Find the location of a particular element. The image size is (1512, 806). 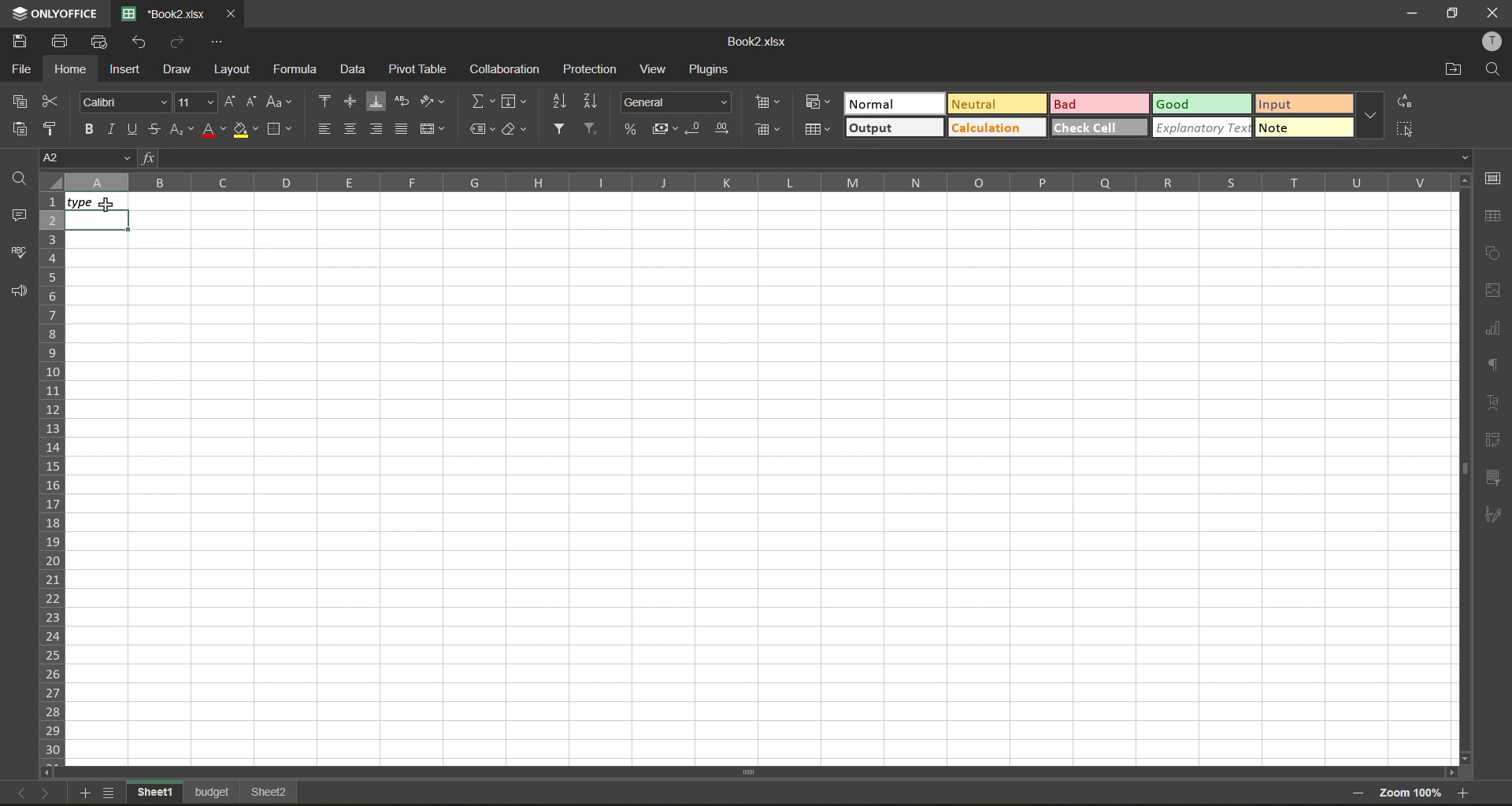

next is located at coordinates (45, 793).